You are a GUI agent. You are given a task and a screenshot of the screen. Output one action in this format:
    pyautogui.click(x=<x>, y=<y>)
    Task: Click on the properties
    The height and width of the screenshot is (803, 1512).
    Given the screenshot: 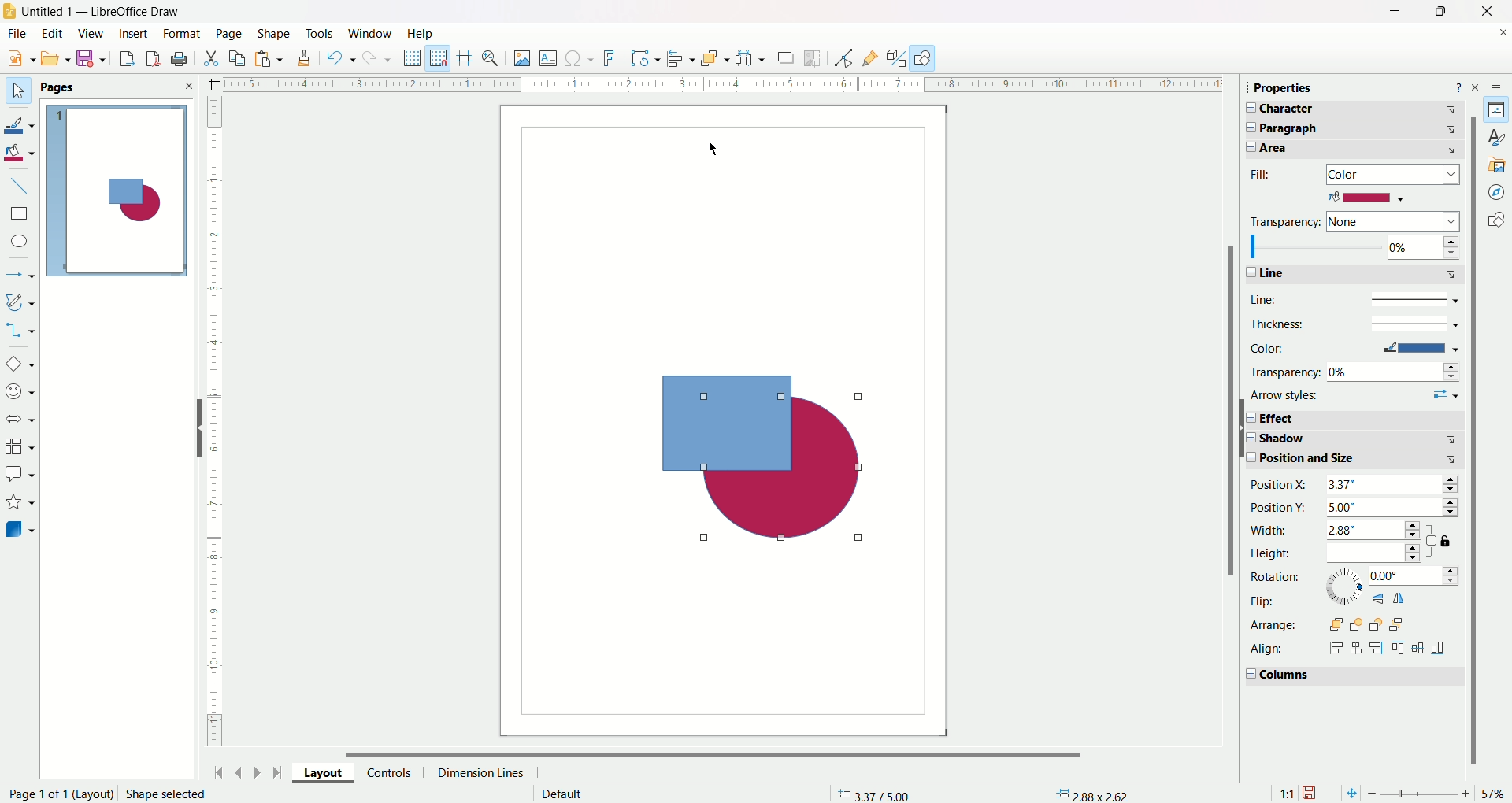 What is the action you would take?
    pyautogui.click(x=1294, y=89)
    